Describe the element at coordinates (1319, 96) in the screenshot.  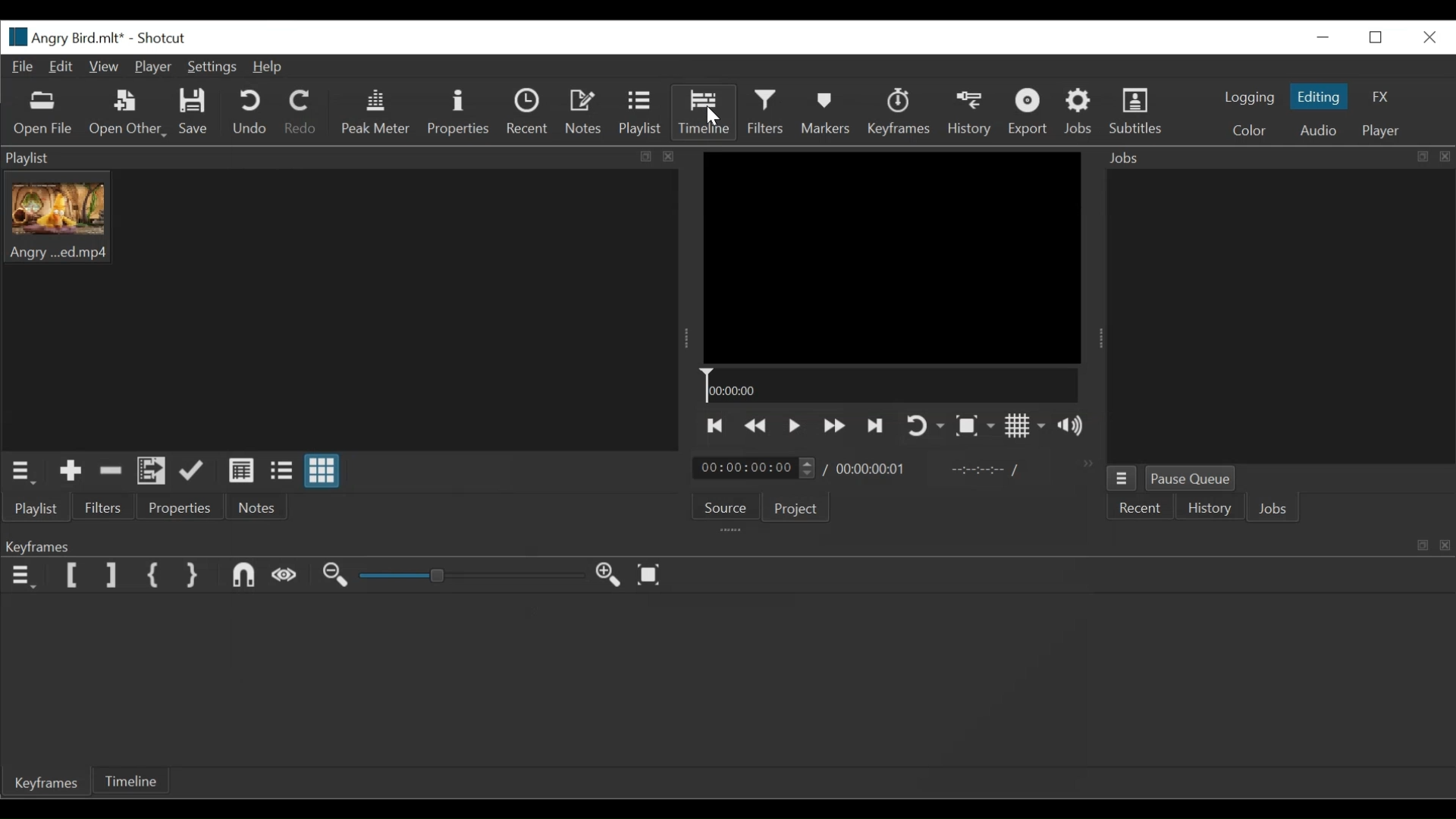
I see `Editing` at that location.